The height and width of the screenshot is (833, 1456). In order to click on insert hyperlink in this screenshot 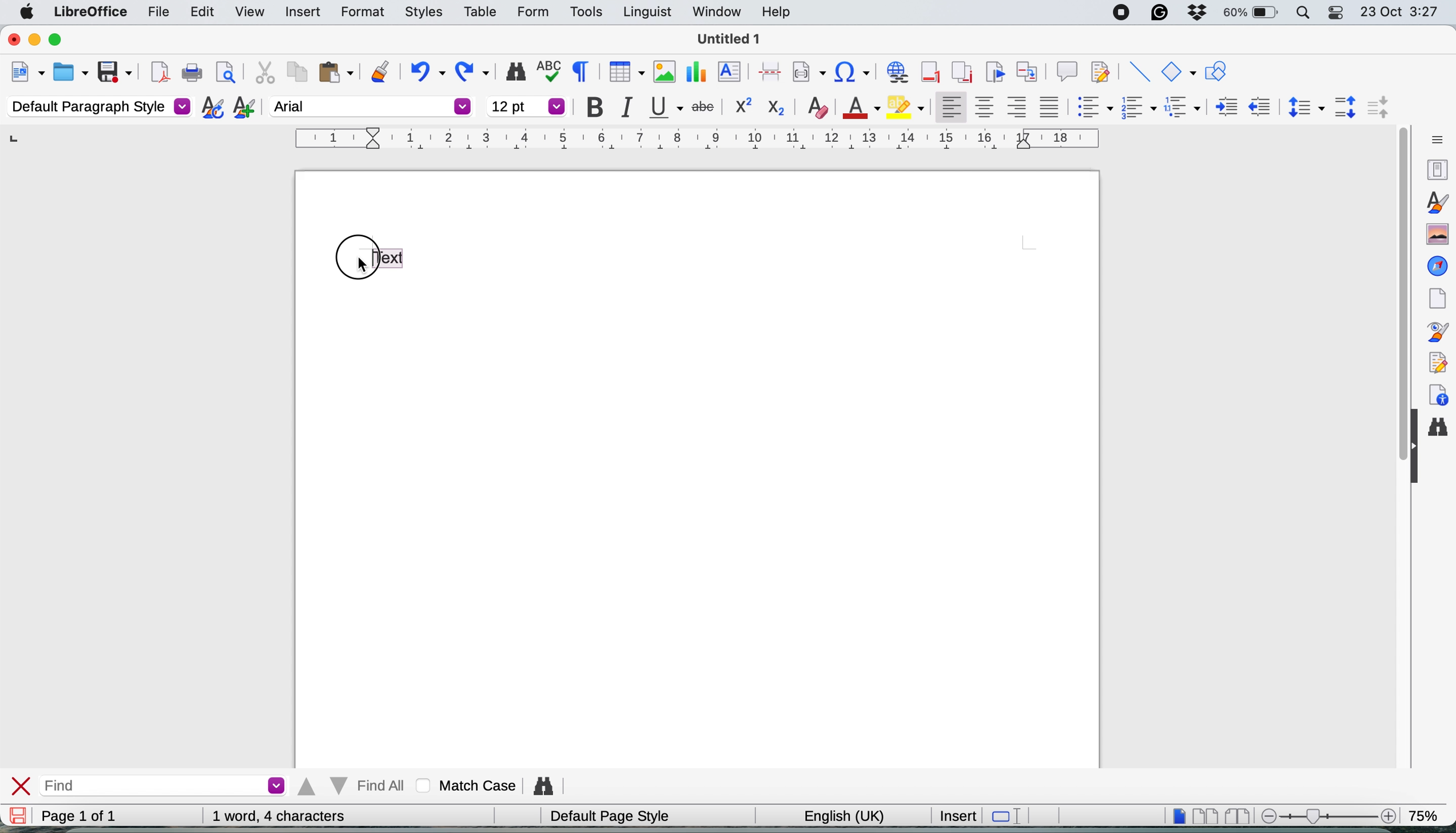, I will do `click(895, 73)`.